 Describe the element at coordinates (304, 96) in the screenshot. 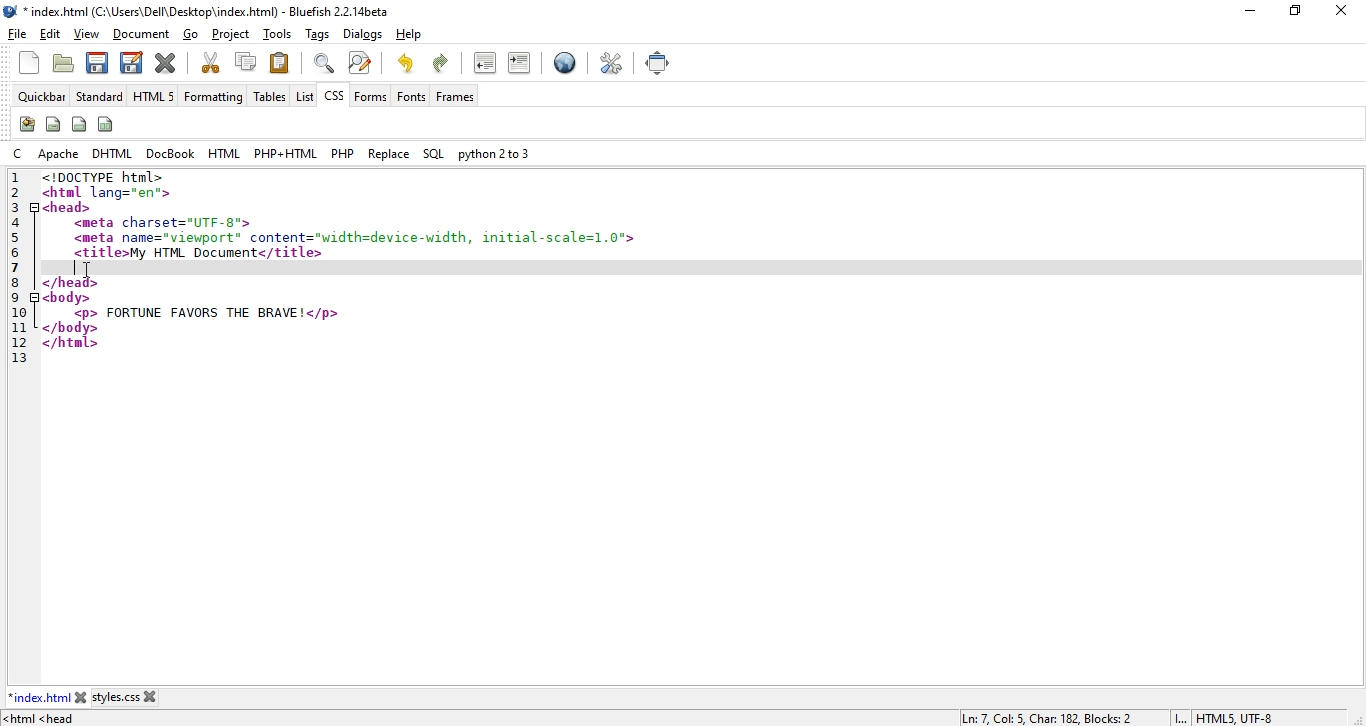

I see `list` at that location.